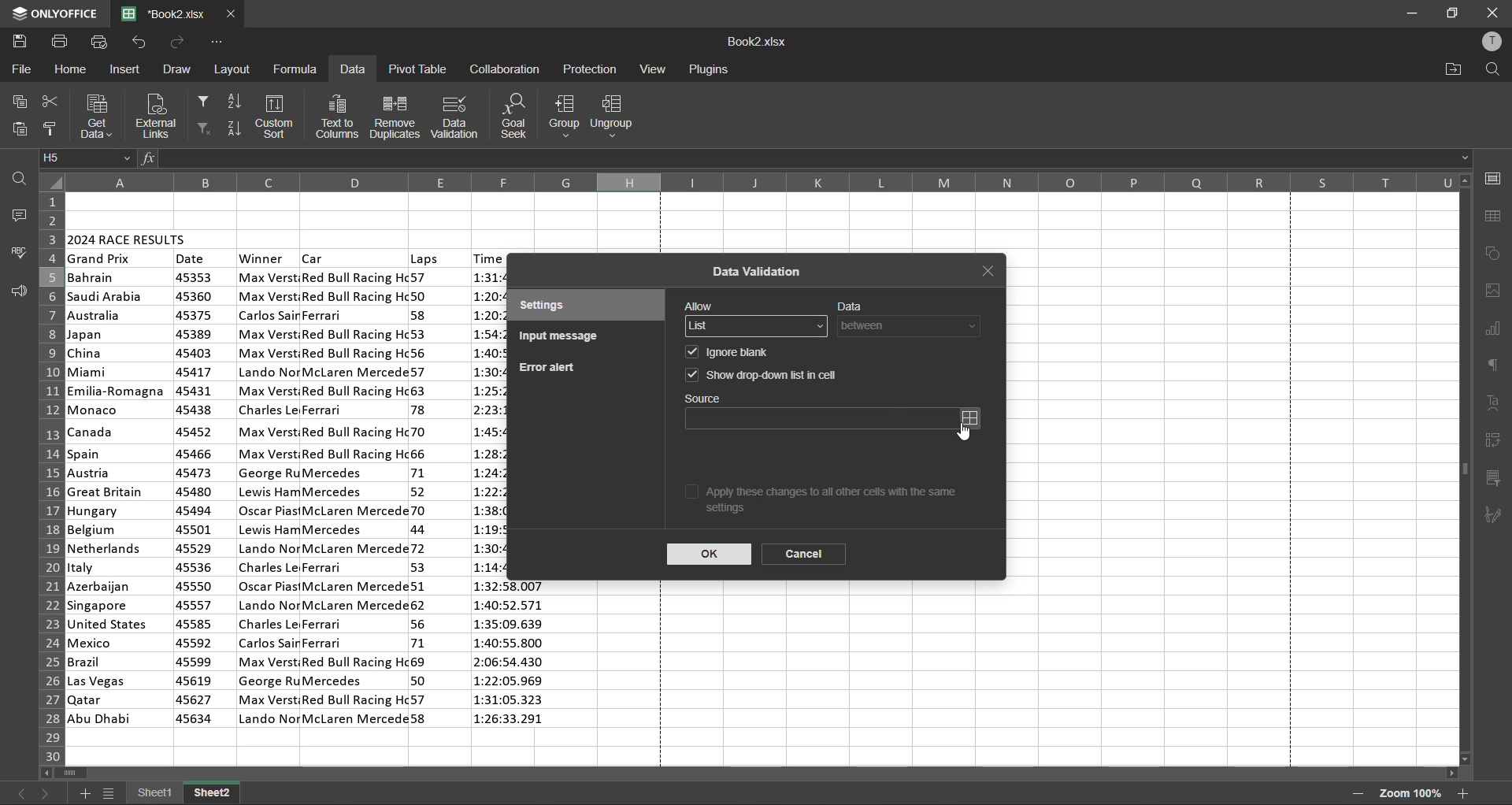  I want to click on slicer, so click(1495, 480).